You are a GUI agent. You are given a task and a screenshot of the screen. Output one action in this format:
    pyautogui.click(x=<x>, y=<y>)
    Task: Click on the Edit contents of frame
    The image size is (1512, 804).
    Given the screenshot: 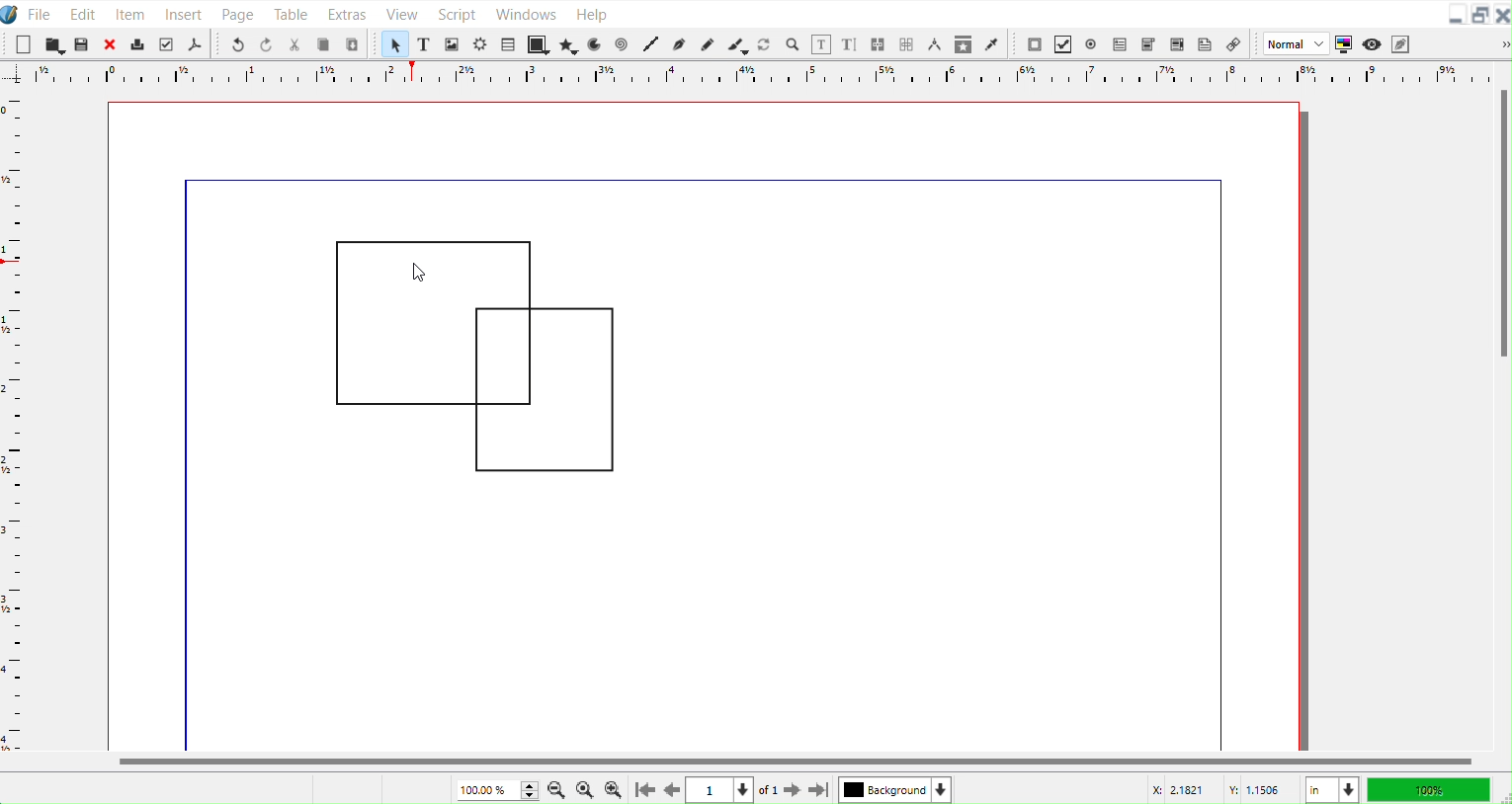 What is the action you would take?
    pyautogui.click(x=821, y=44)
    